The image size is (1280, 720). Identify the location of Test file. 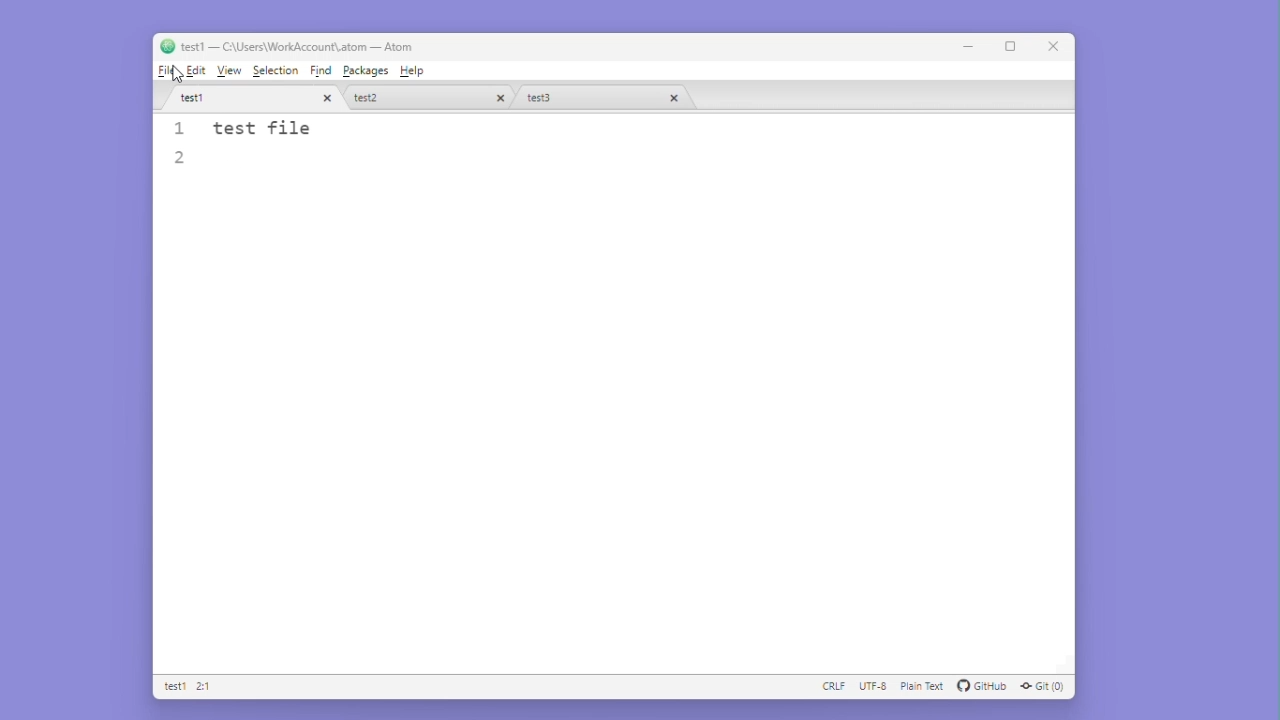
(281, 146).